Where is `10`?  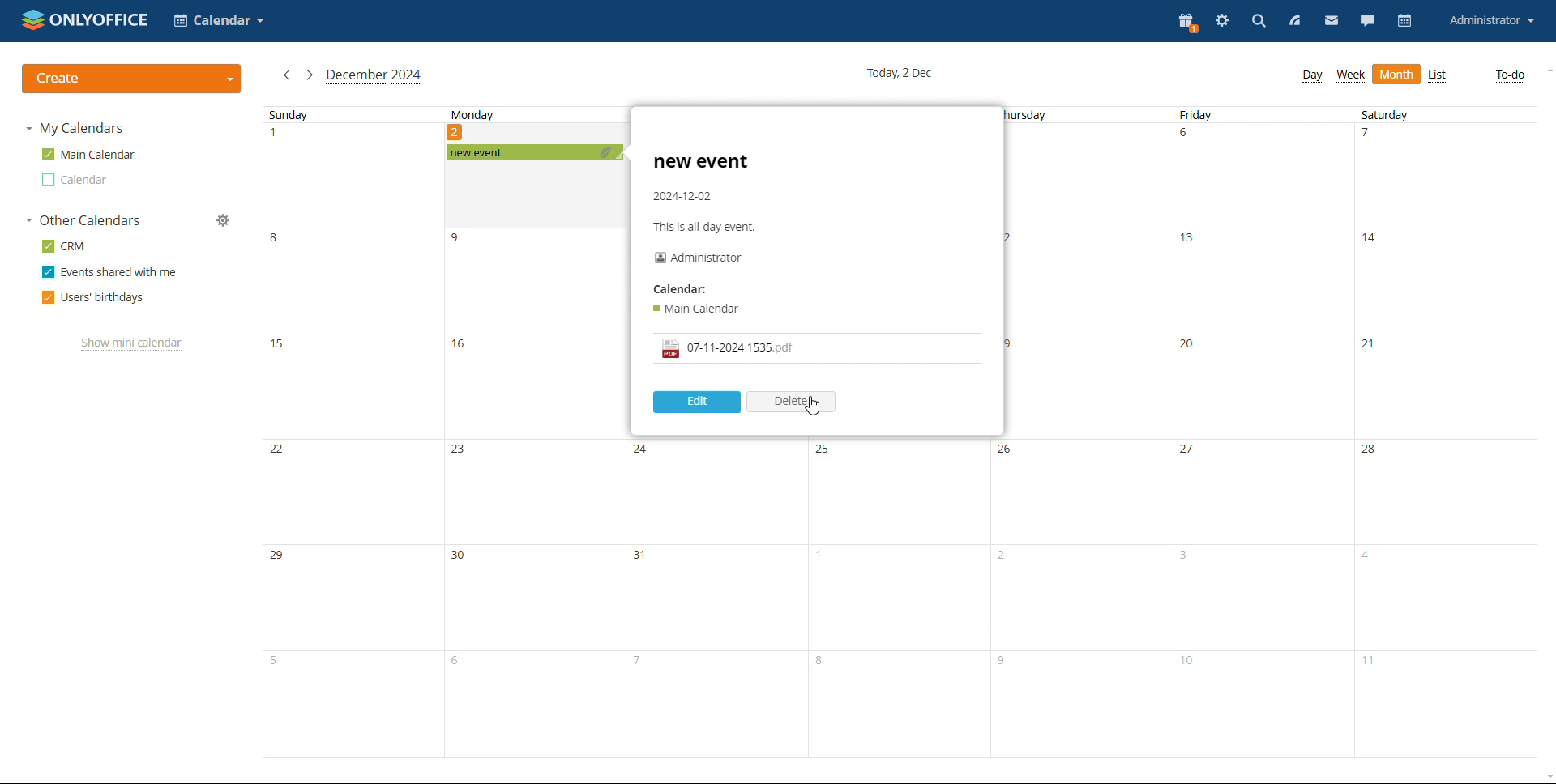
10 is located at coordinates (1193, 666).